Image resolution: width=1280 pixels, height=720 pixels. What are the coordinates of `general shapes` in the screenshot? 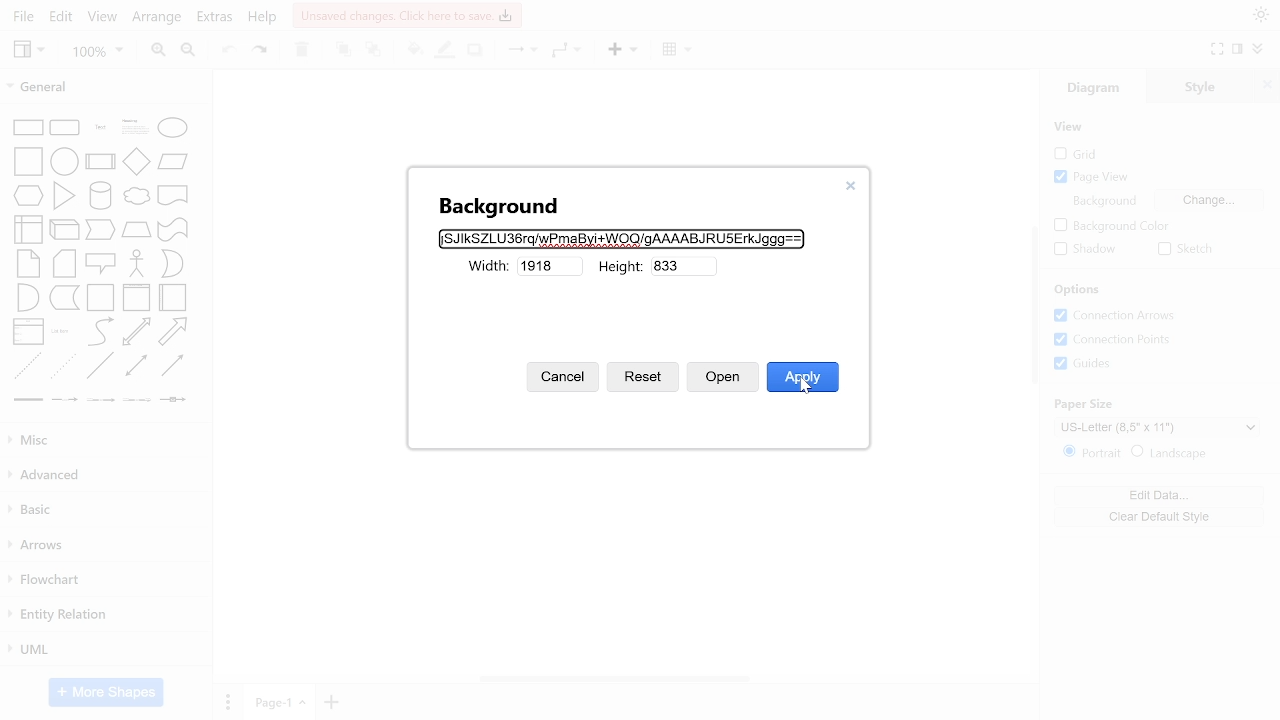 It's located at (62, 160).